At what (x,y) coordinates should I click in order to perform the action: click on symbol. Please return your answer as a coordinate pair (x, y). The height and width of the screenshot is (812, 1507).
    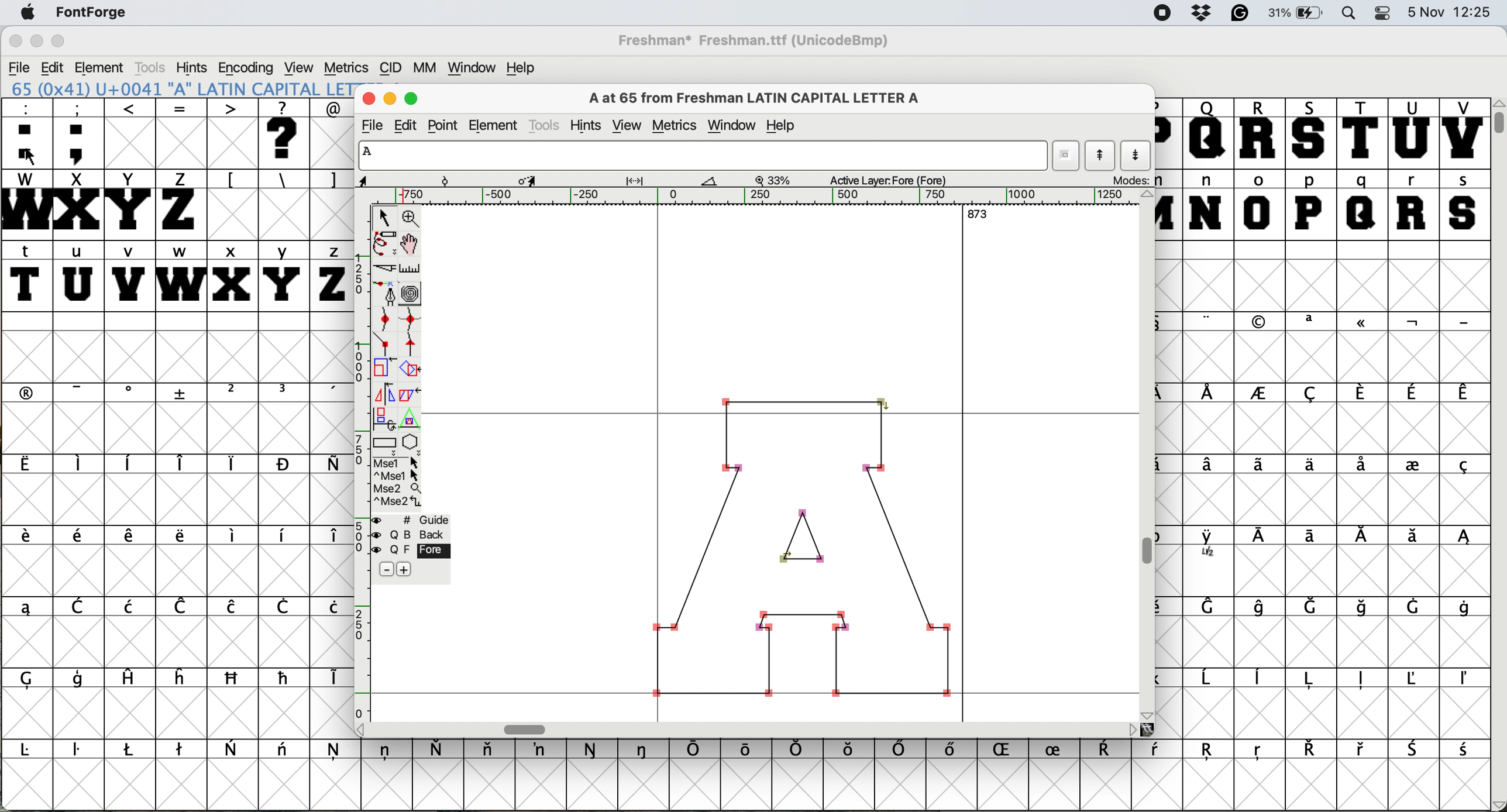
    Looking at the image, I should click on (747, 748).